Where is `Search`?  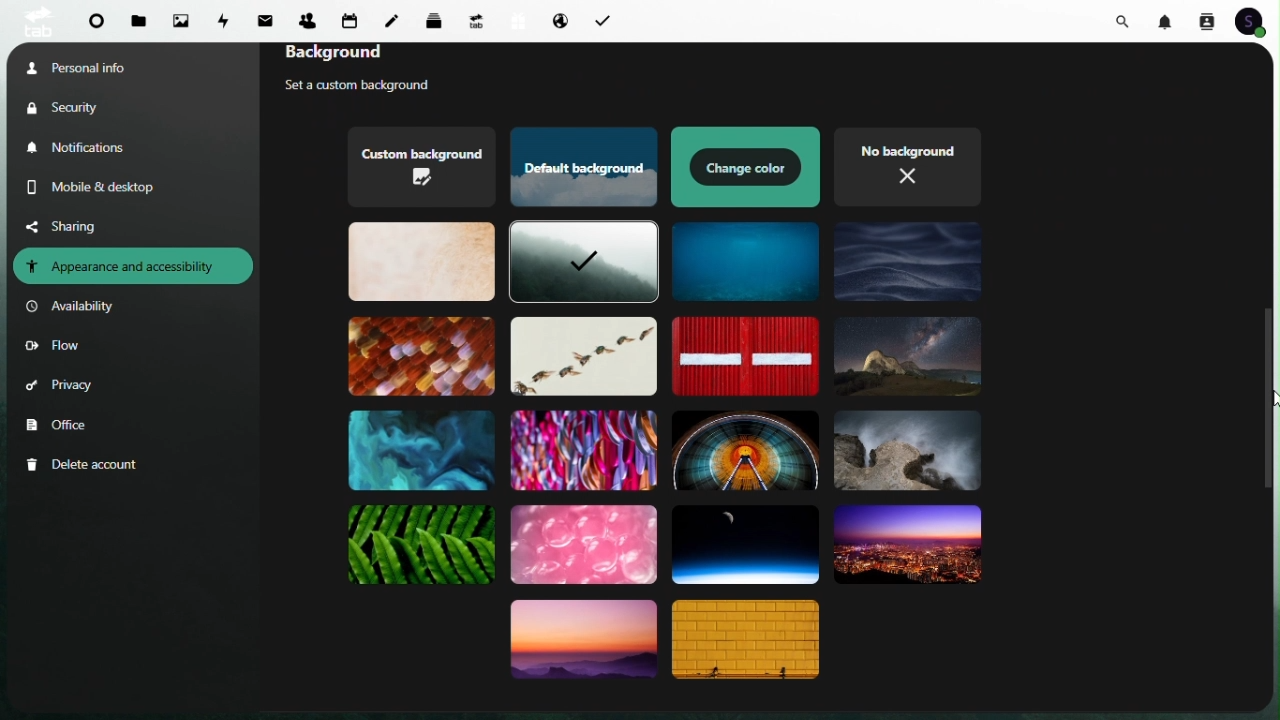
Search is located at coordinates (1126, 19).